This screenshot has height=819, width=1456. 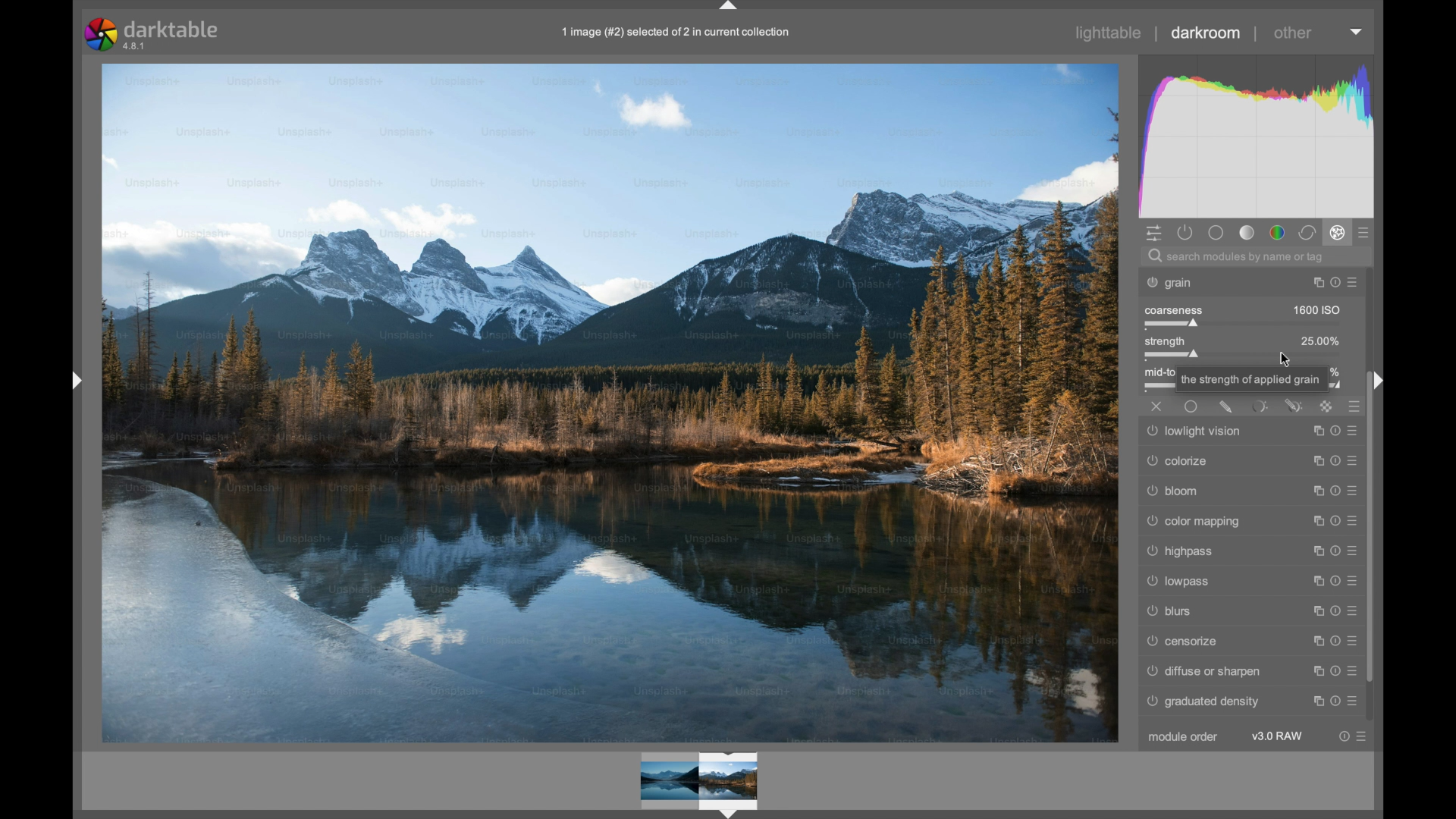 What do you see at coordinates (1109, 33) in the screenshot?
I see `lighttable` at bounding box center [1109, 33].